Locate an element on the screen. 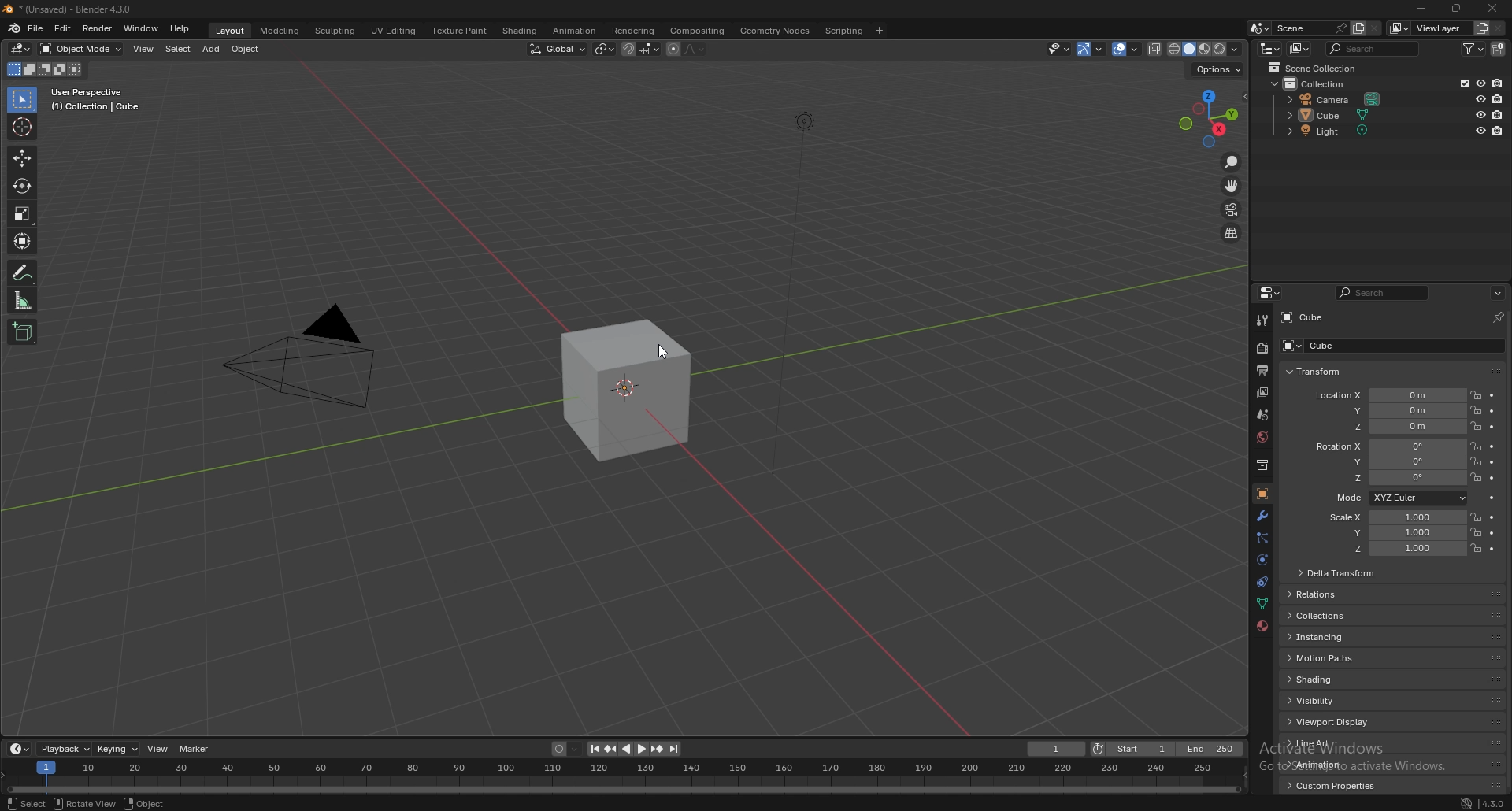  transform is located at coordinates (23, 240).